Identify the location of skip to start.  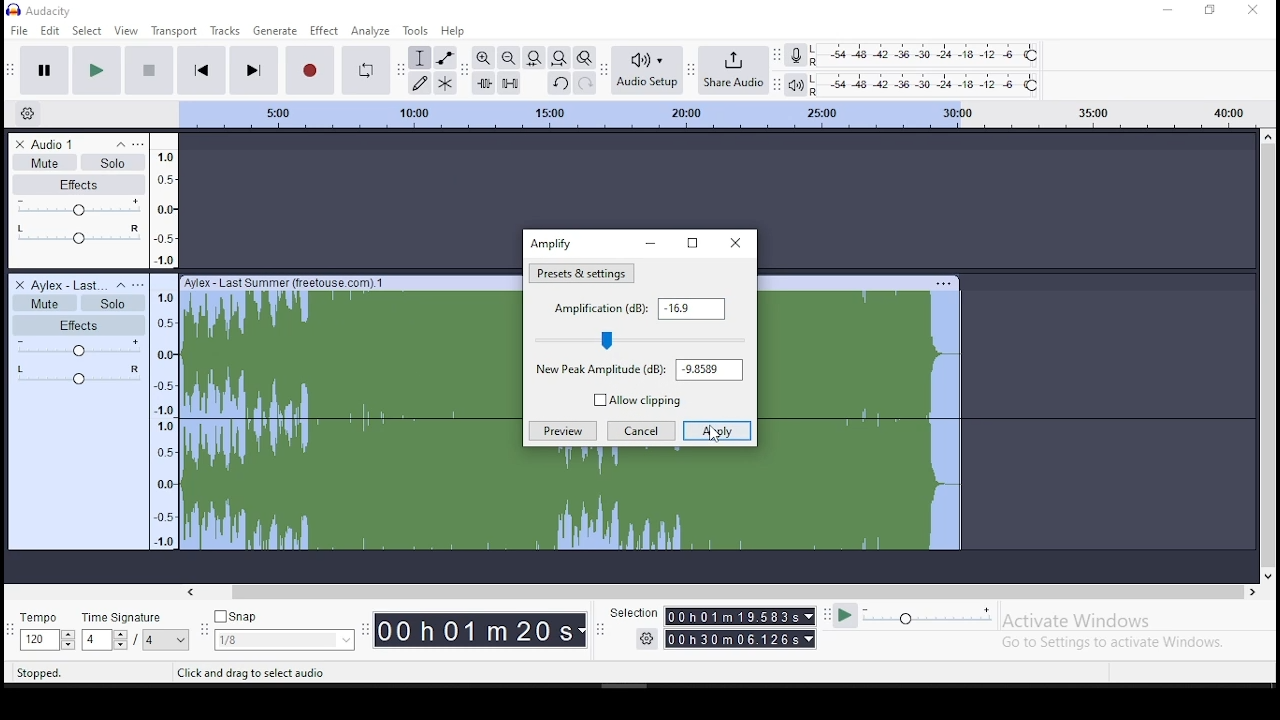
(202, 69).